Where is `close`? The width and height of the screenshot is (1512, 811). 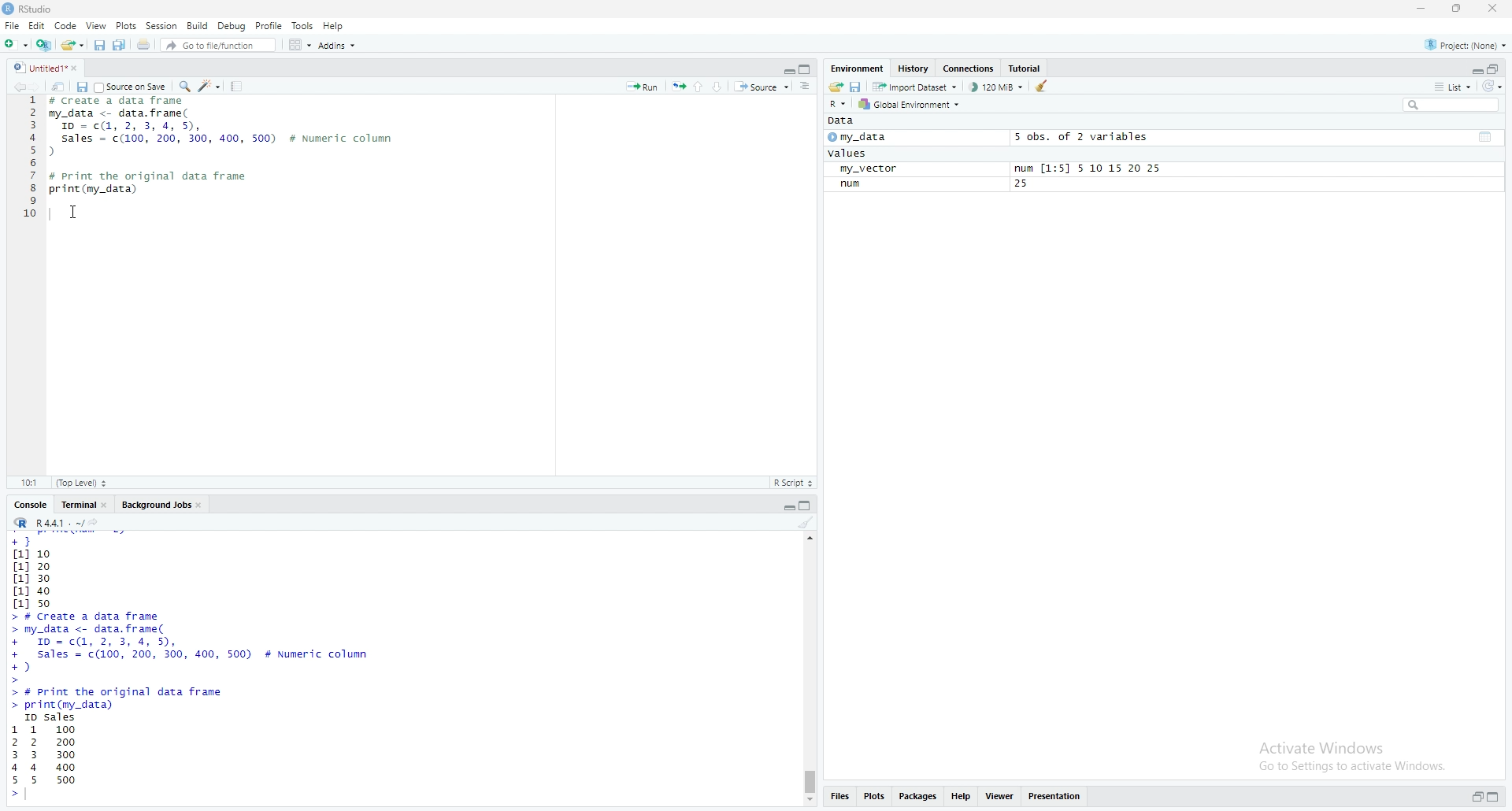 close is located at coordinates (1499, 9).